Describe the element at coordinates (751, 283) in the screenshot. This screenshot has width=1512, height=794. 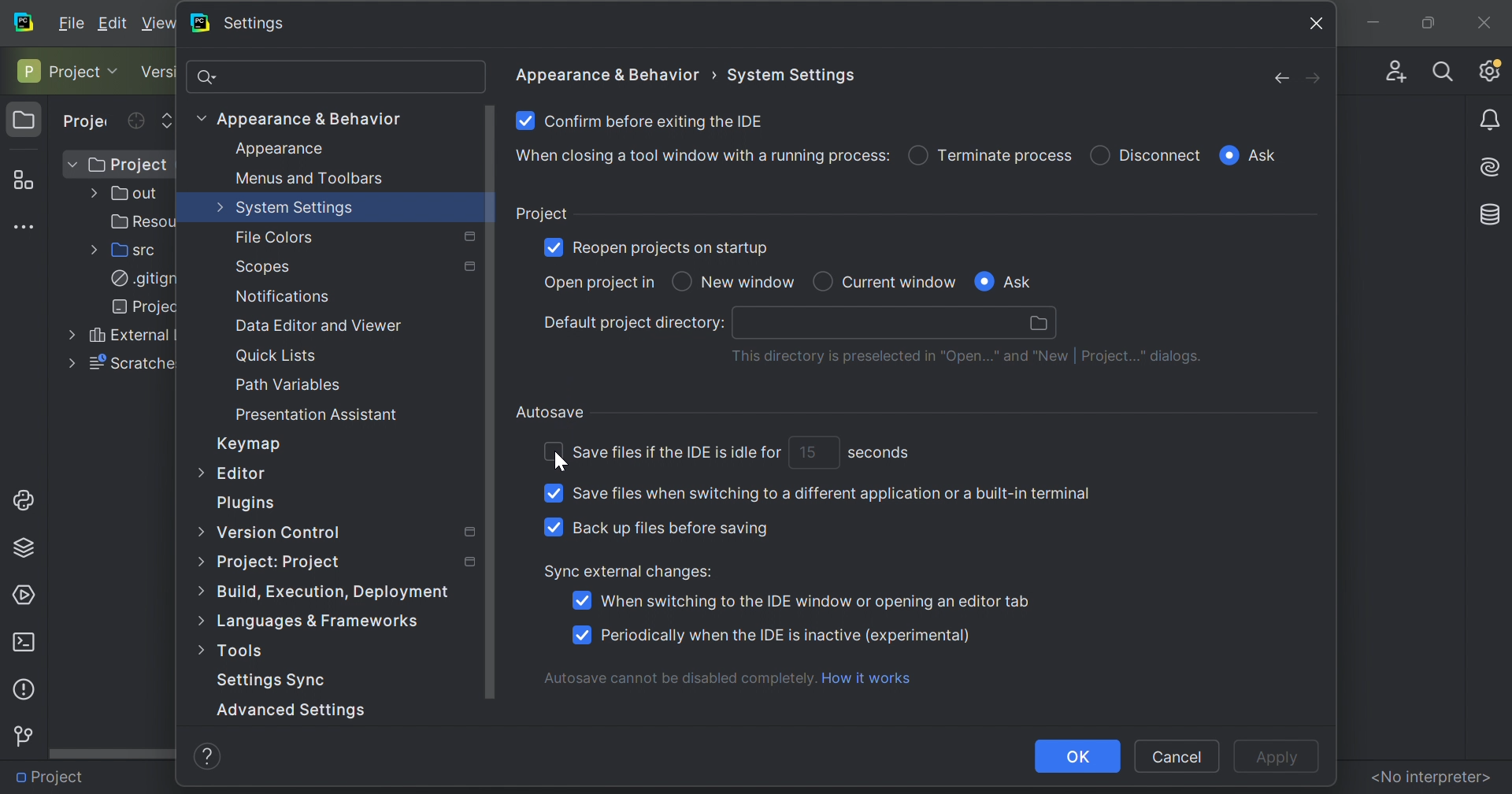
I see `New window` at that location.